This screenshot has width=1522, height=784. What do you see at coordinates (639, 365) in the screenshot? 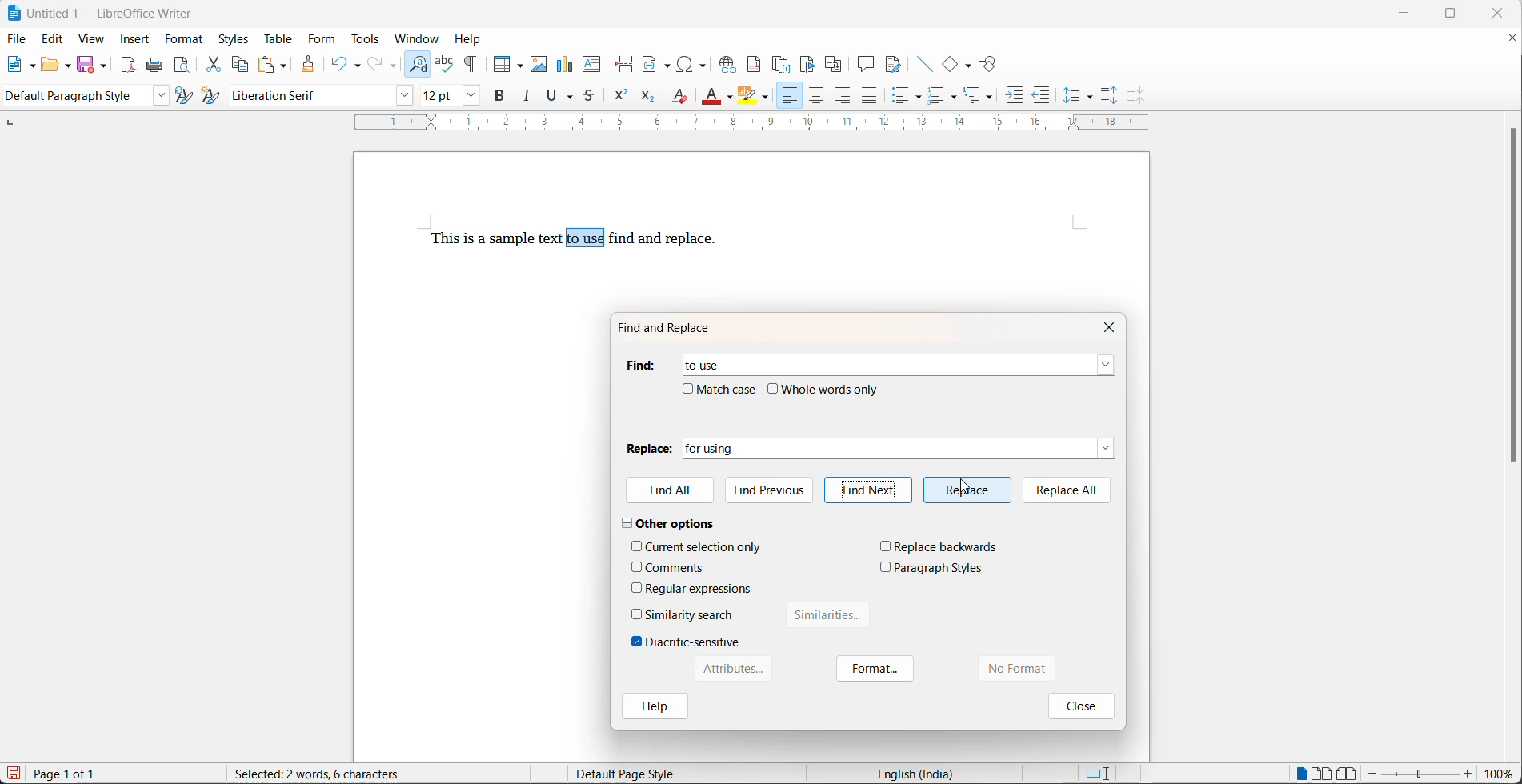
I see `find heading` at bounding box center [639, 365].